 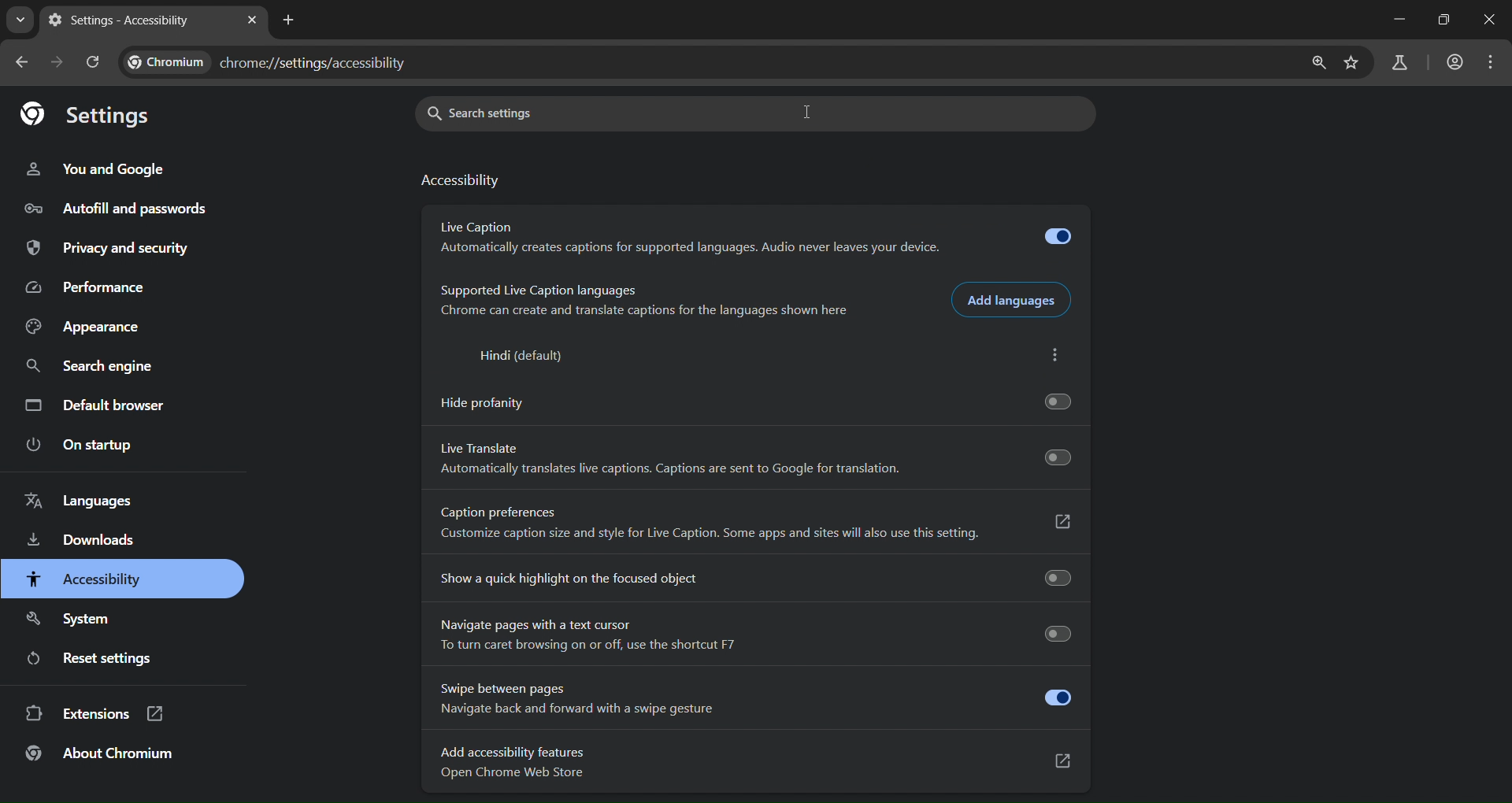 What do you see at coordinates (754, 698) in the screenshot?
I see `Swipe between pages
Navigate back and forward with a swipe gesture` at bounding box center [754, 698].